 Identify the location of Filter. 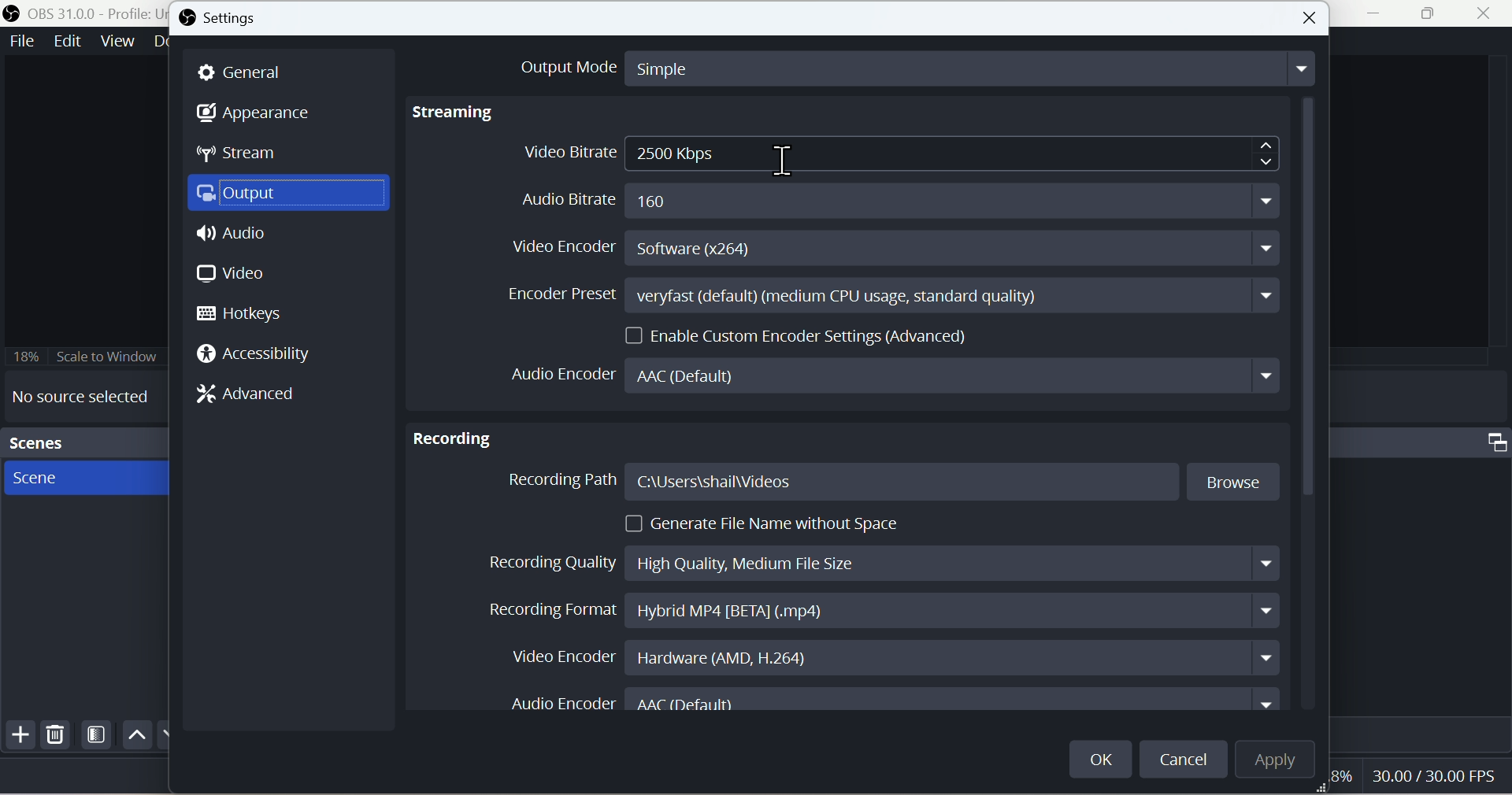
(97, 738).